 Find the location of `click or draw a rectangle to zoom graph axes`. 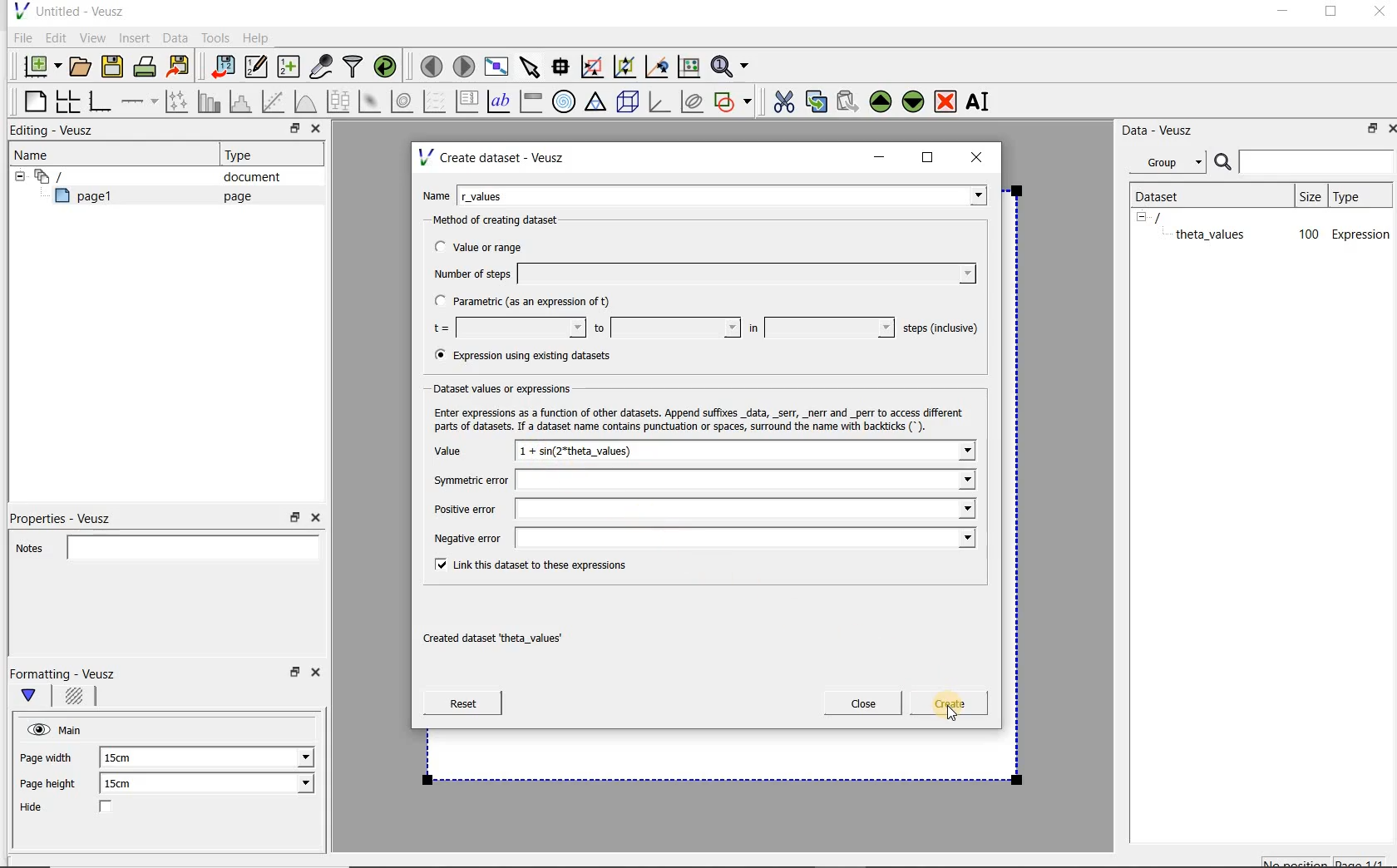

click or draw a rectangle to zoom graph axes is located at coordinates (595, 67).